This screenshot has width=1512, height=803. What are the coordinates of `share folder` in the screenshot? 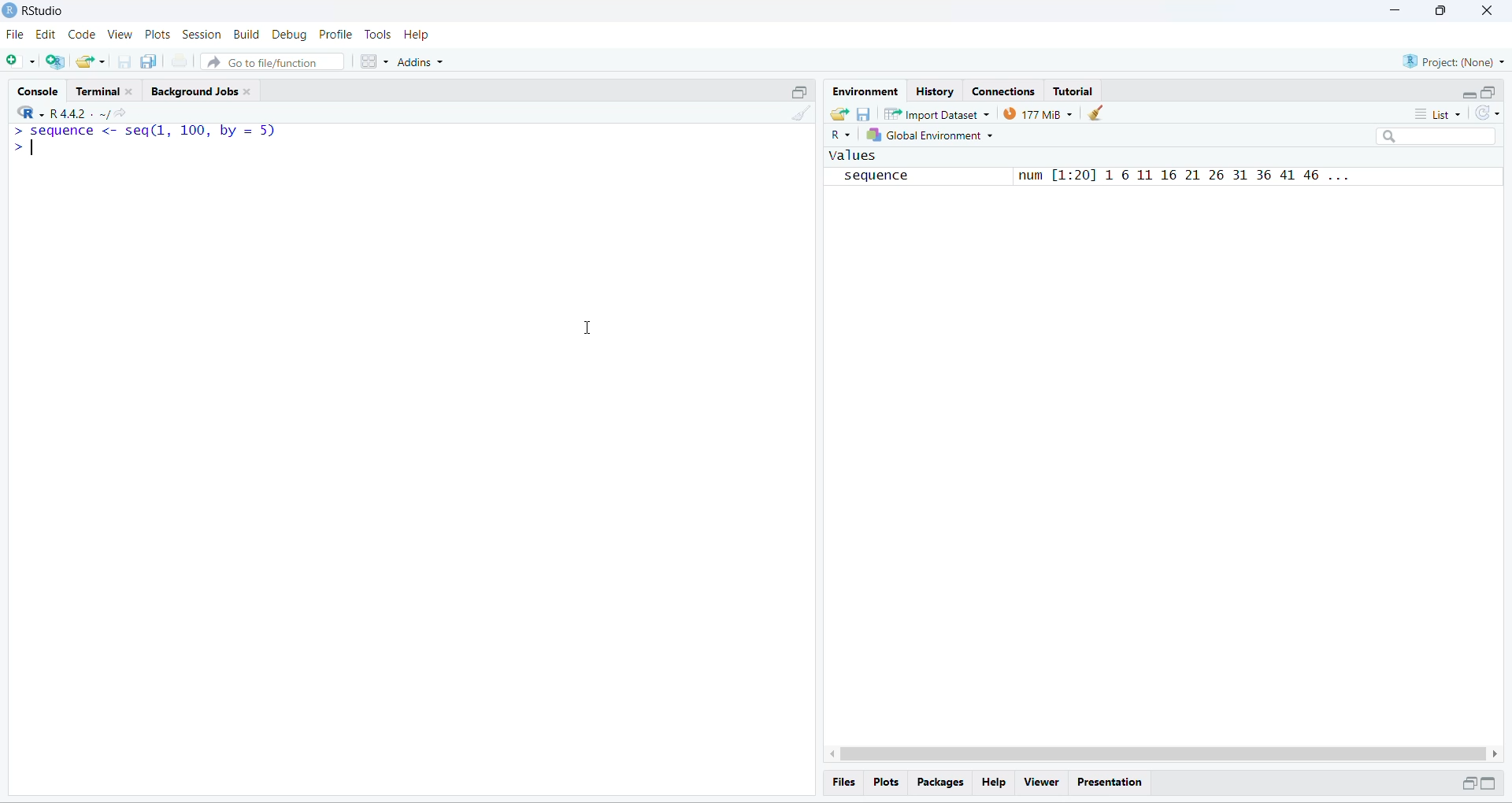 It's located at (839, 115).